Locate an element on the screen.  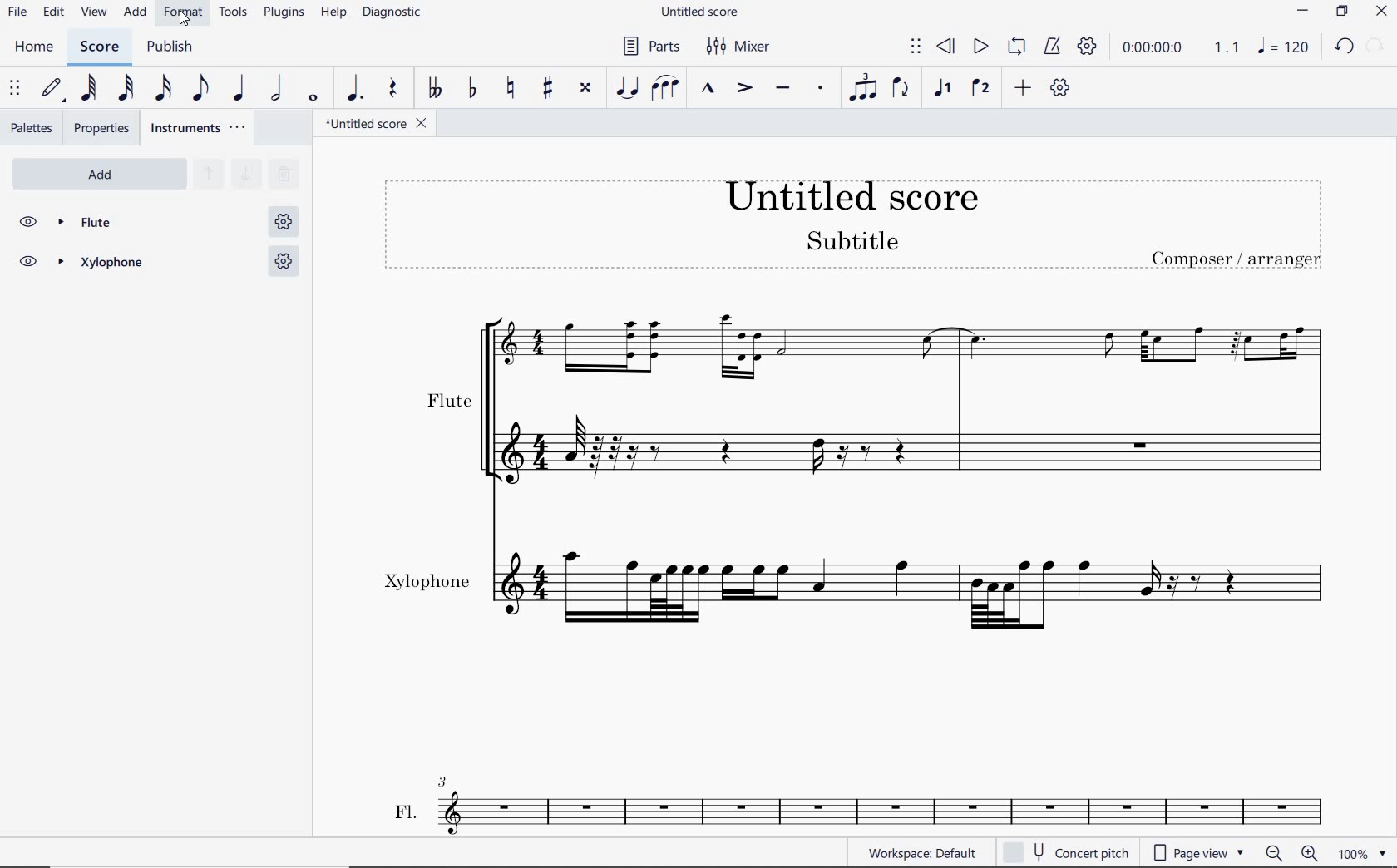
REWIND is located at coordinates (947, 47).